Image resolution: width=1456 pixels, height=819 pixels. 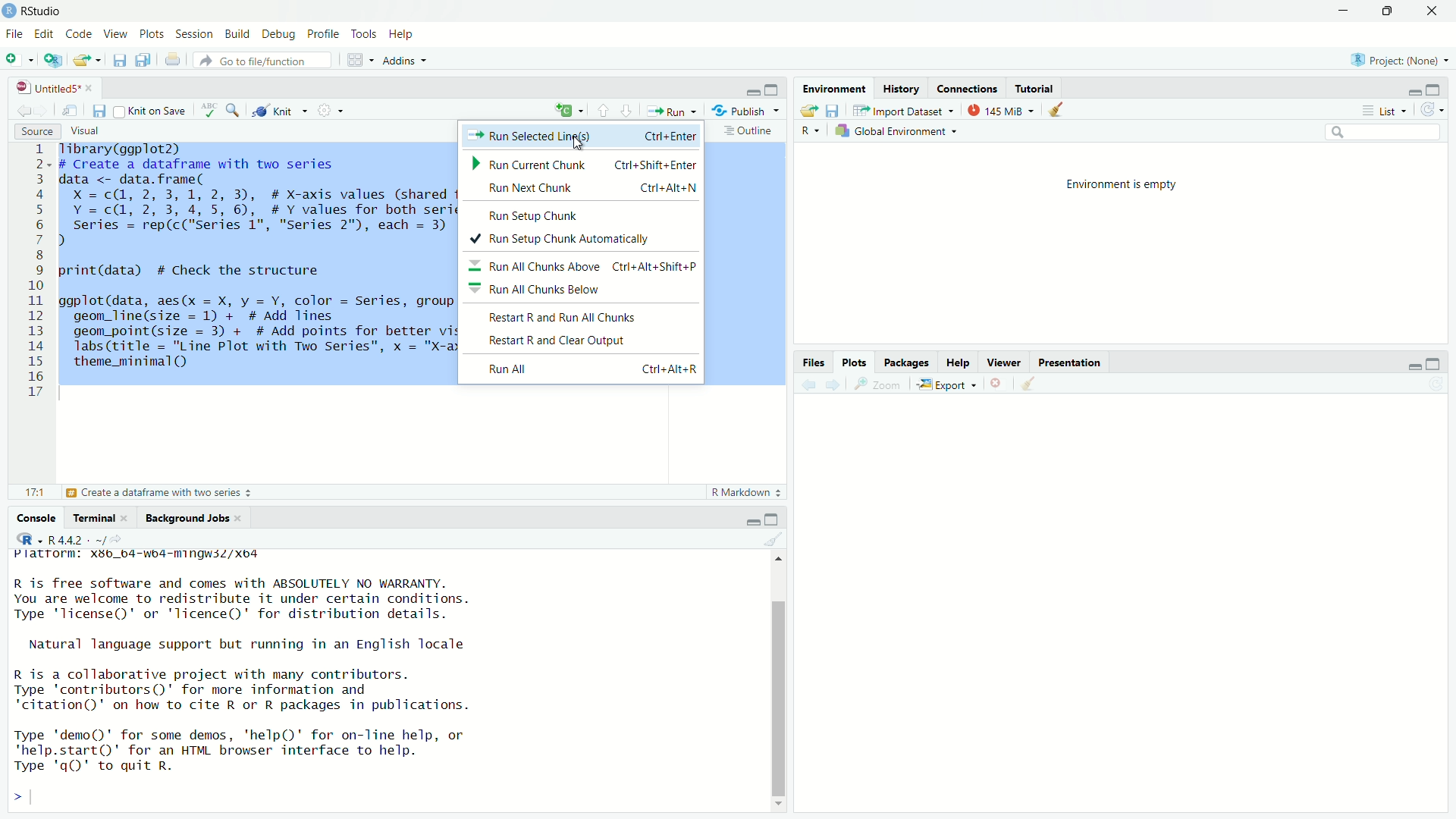 What do you see at coordinates (192, 516) in the screenshot?
I see `Bckground Jobs` at bounding box center [192, 516].